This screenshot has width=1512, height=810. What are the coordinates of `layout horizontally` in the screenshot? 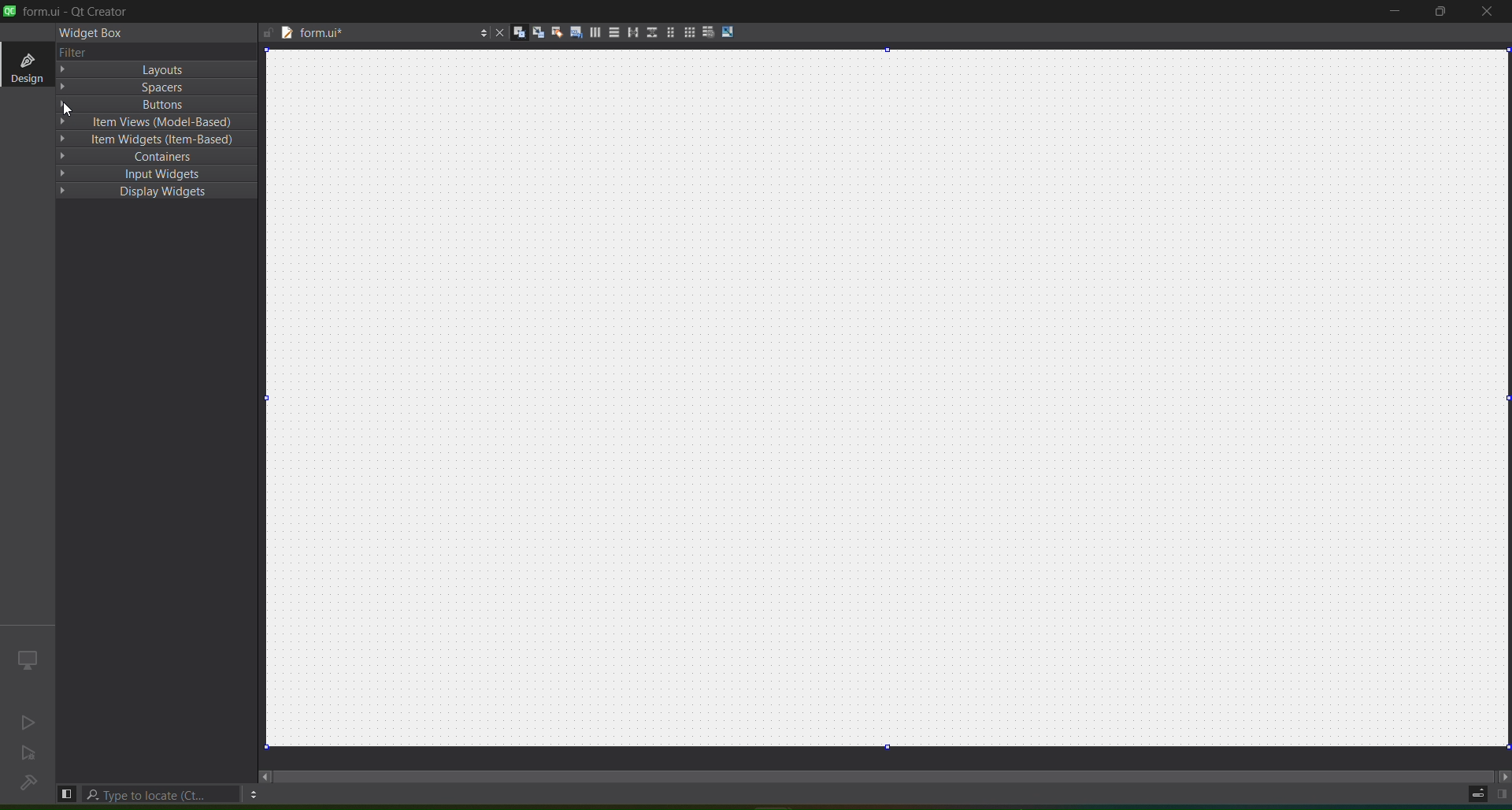 It's located at (594, 32).